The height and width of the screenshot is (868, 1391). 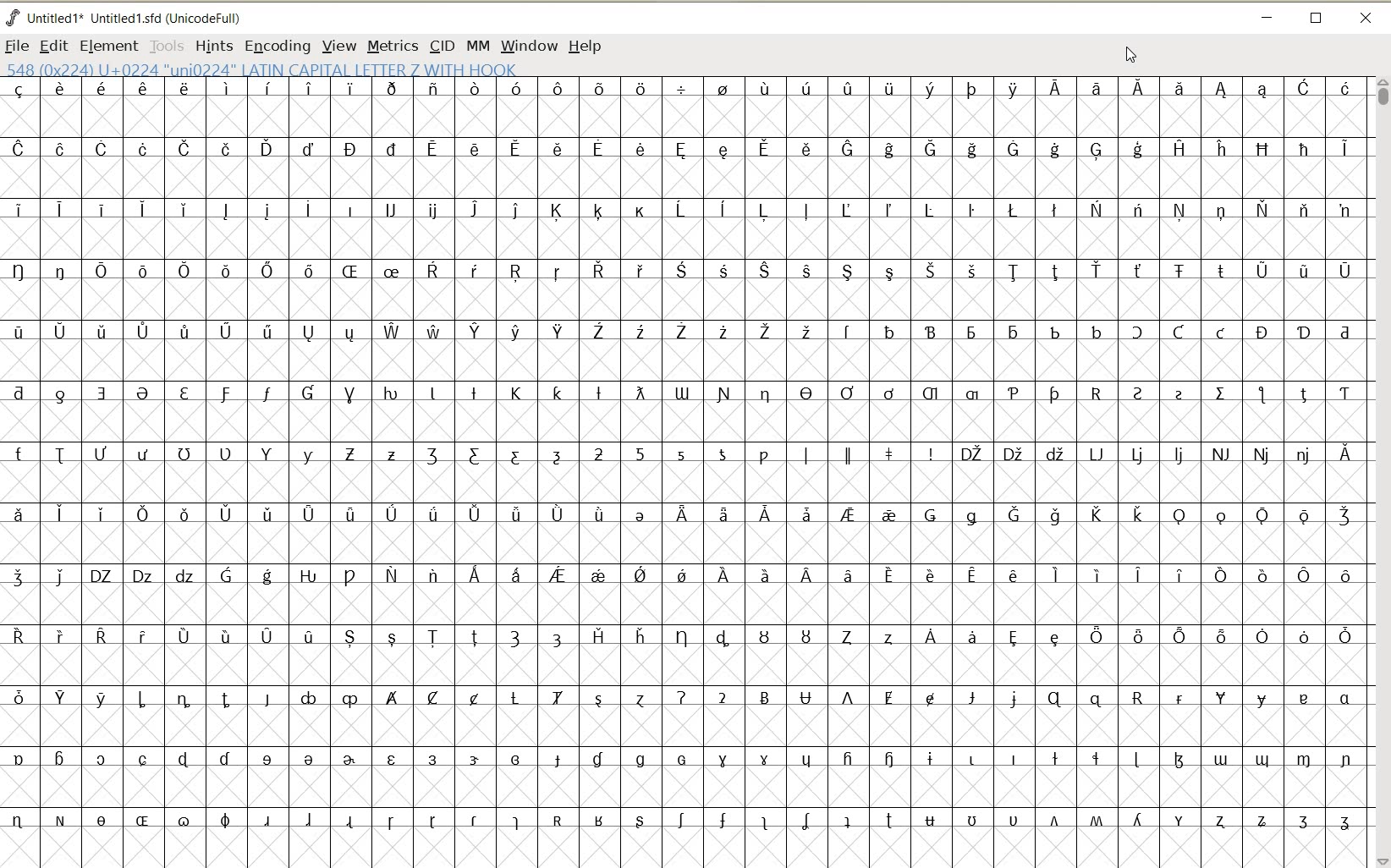 I want to click on RESTORE, so click(x=1317, y=19).